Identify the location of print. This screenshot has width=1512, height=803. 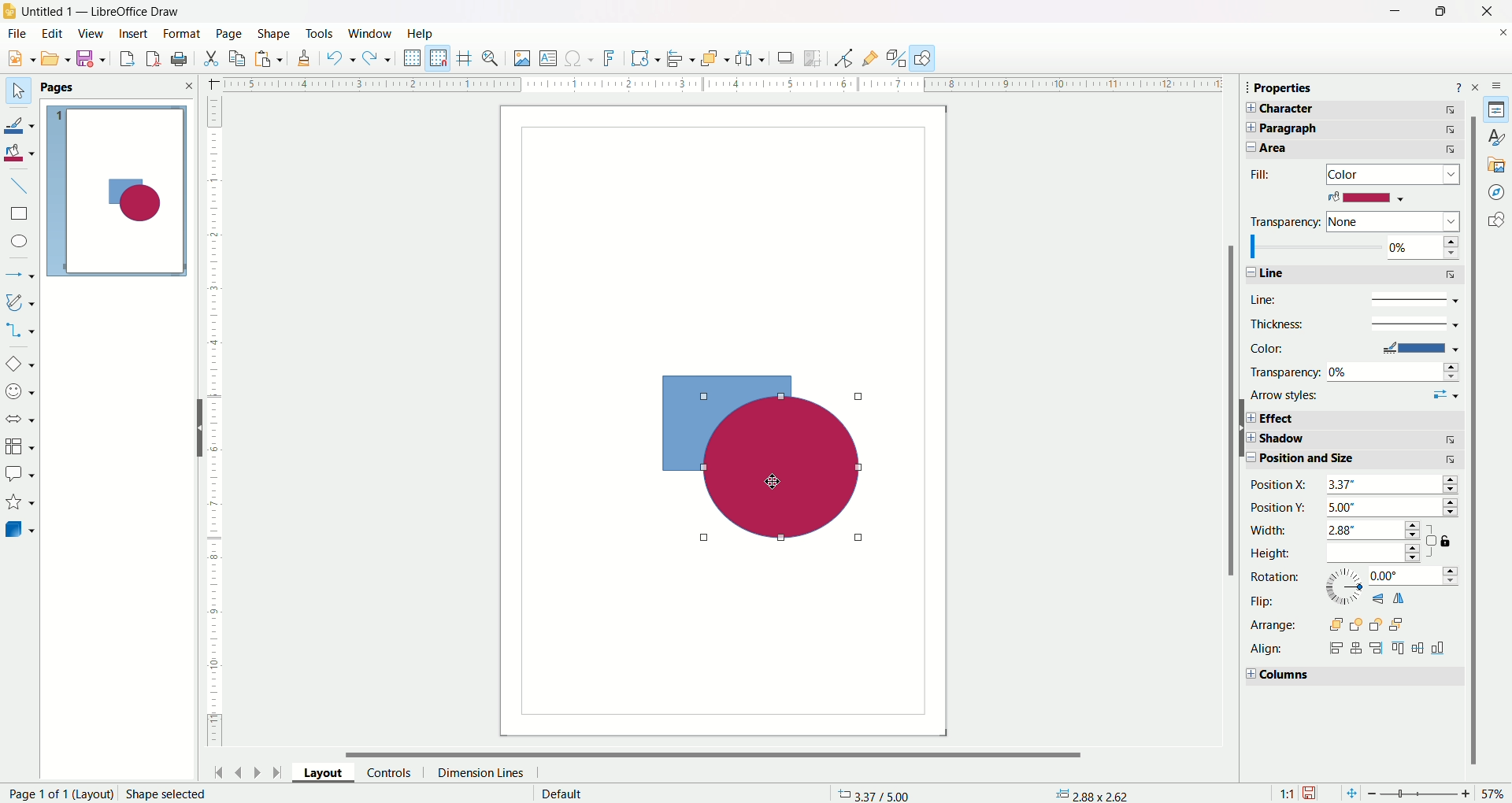
(182, 58).